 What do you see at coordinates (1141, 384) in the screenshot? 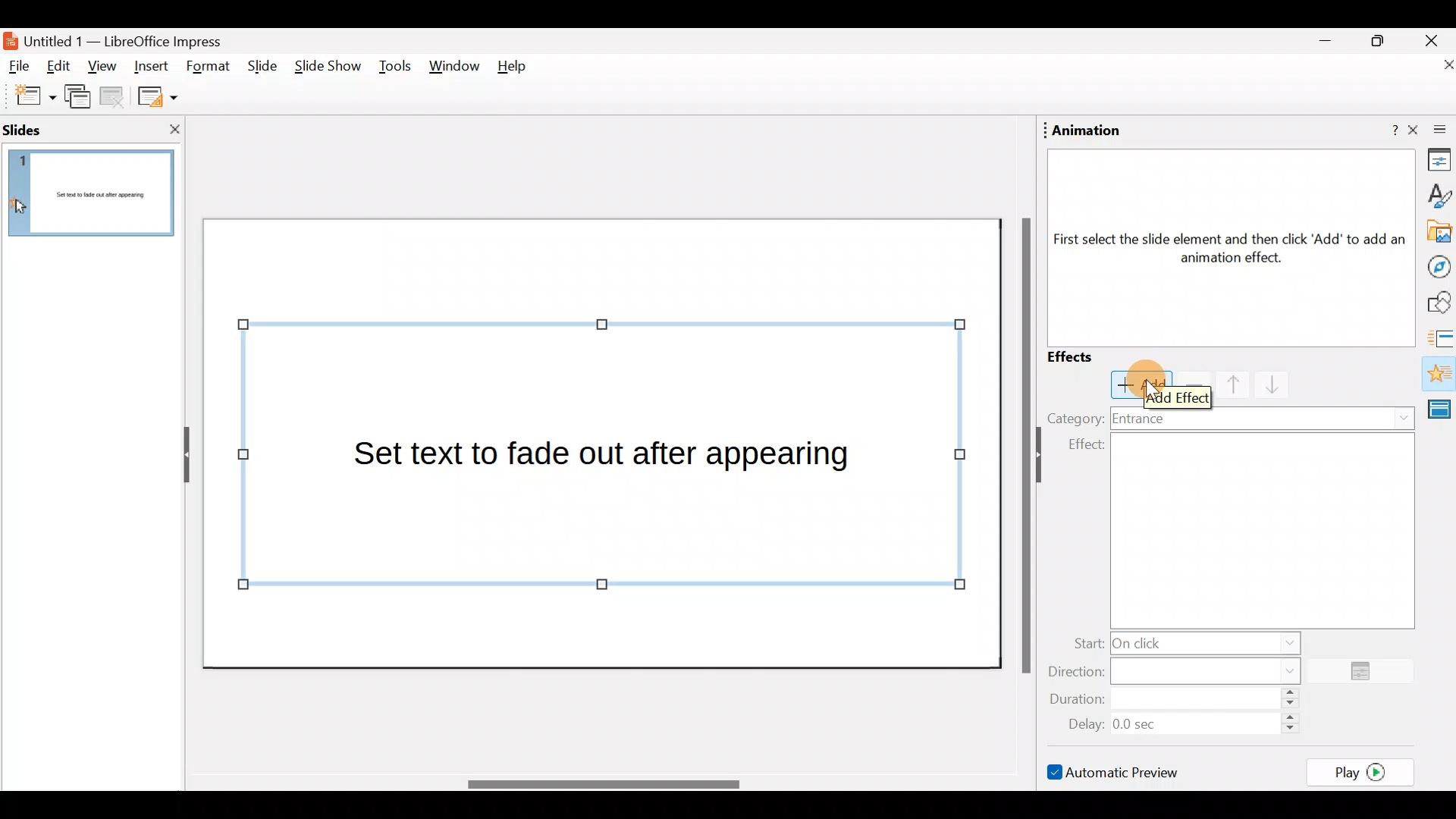
I see `Add effect` at bounding box center [1141, 384].